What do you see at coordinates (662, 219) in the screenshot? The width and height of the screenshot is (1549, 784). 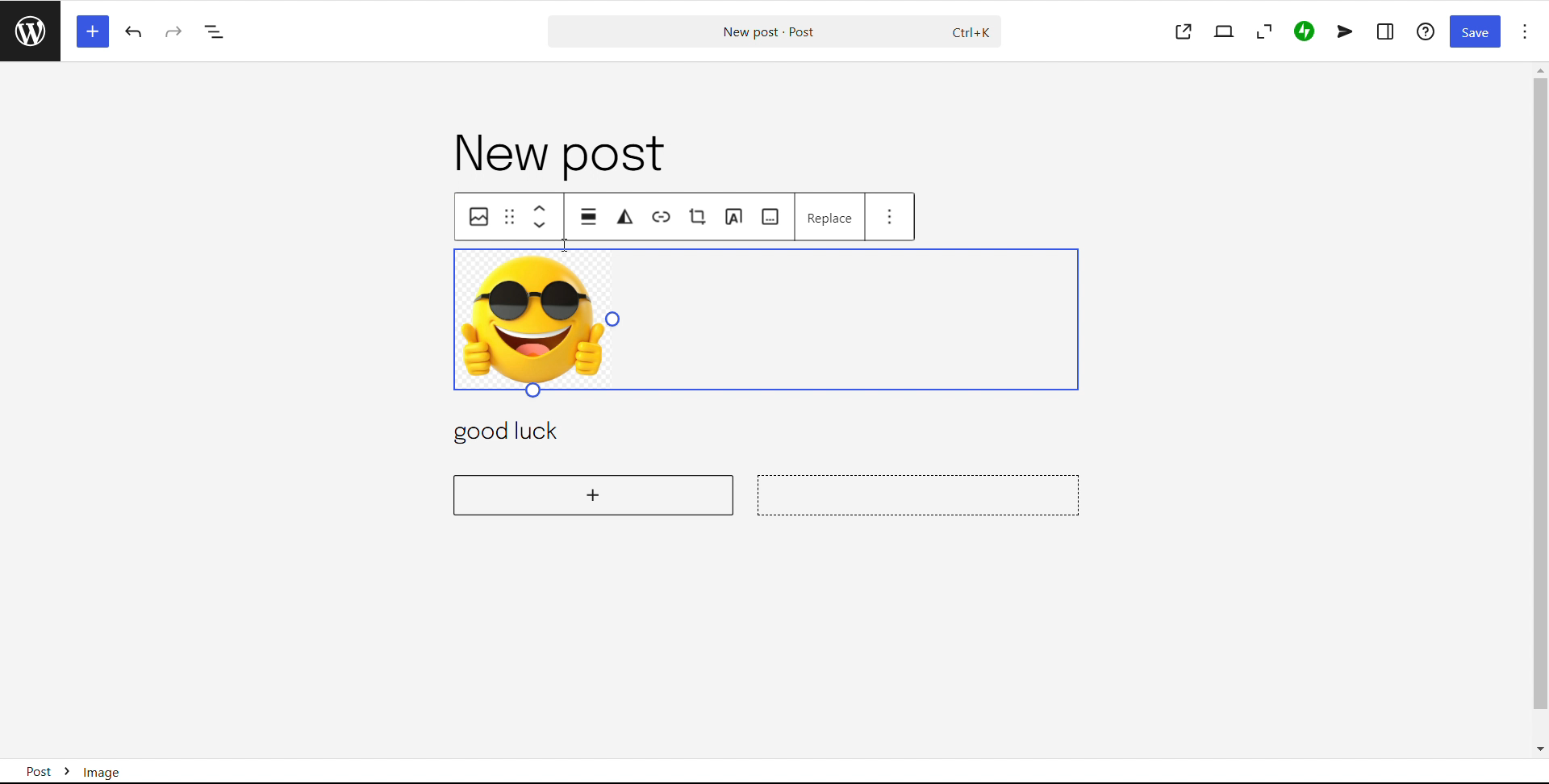 I see `link` at bounding box center [662, 219].